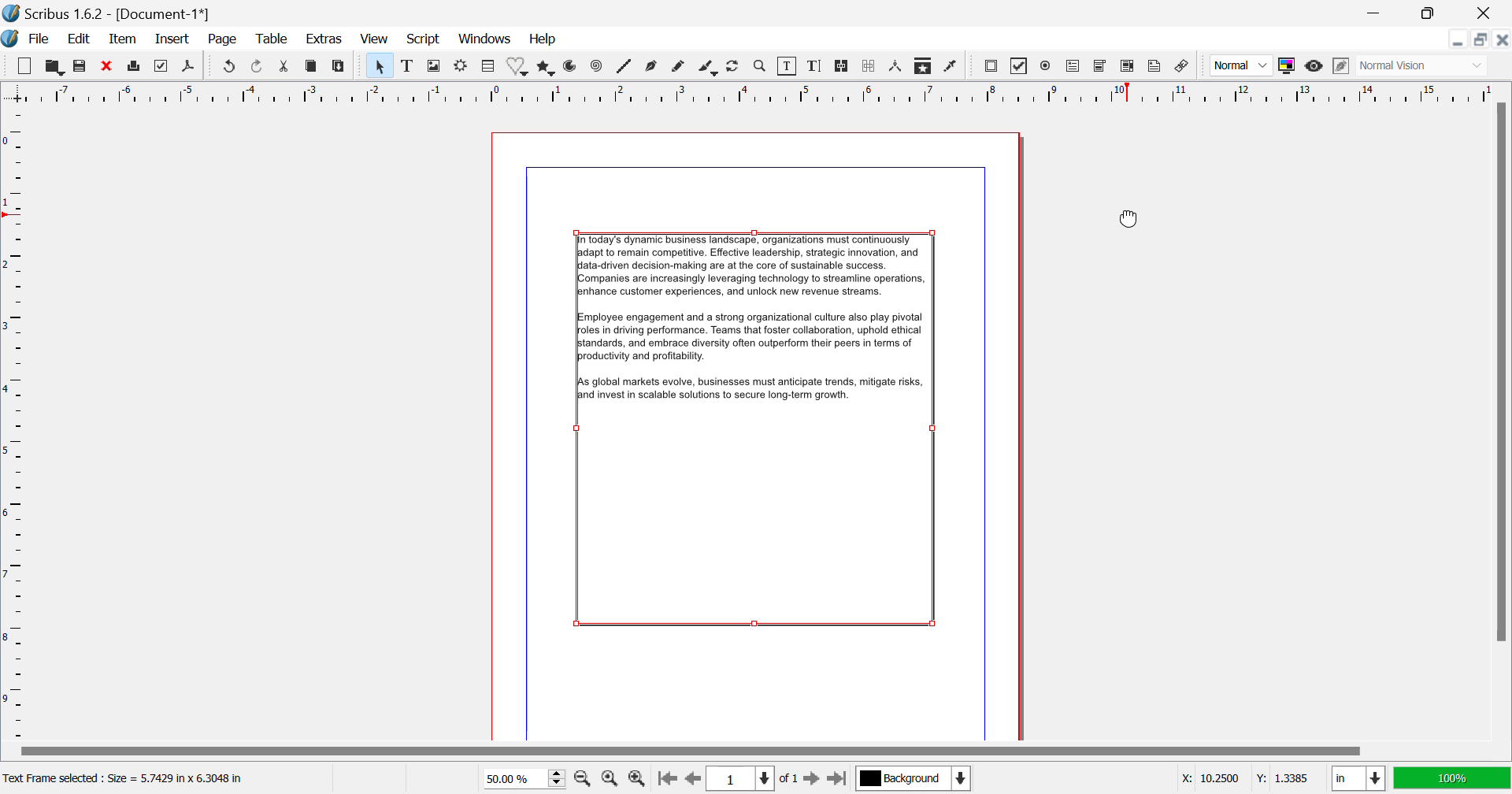 This screenshot has width=1512, height=794. Describe the element at coordinates (1020, 66) in the screenshot. I see `Pdf checkbox` at that location.